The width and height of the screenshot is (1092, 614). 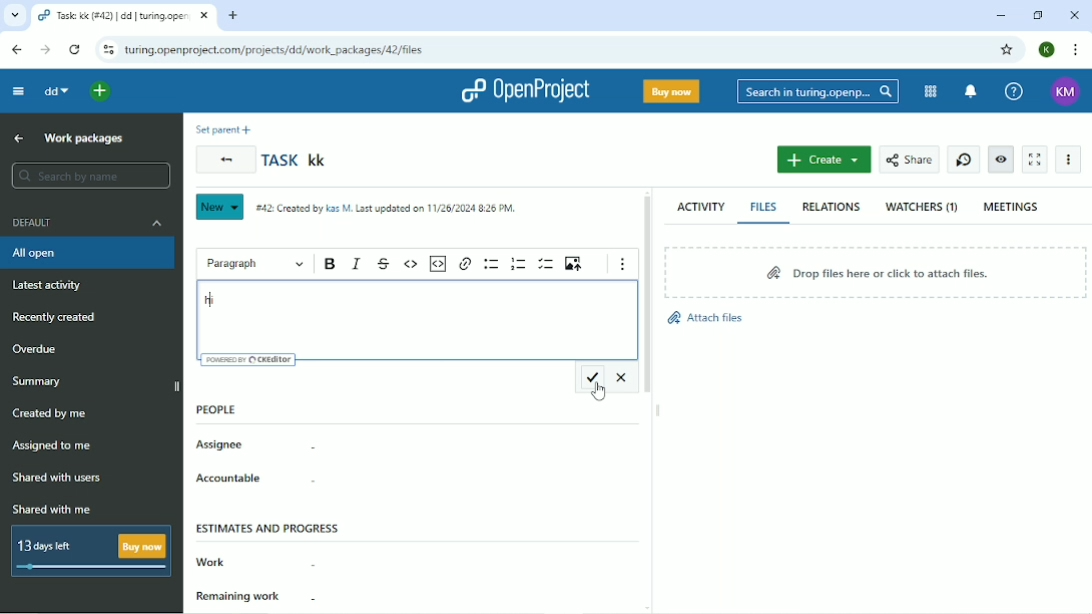 What do you see at coordinates (260, 599) in the screenshot?
I see `Remaining work` at bounding box center [260, 599].